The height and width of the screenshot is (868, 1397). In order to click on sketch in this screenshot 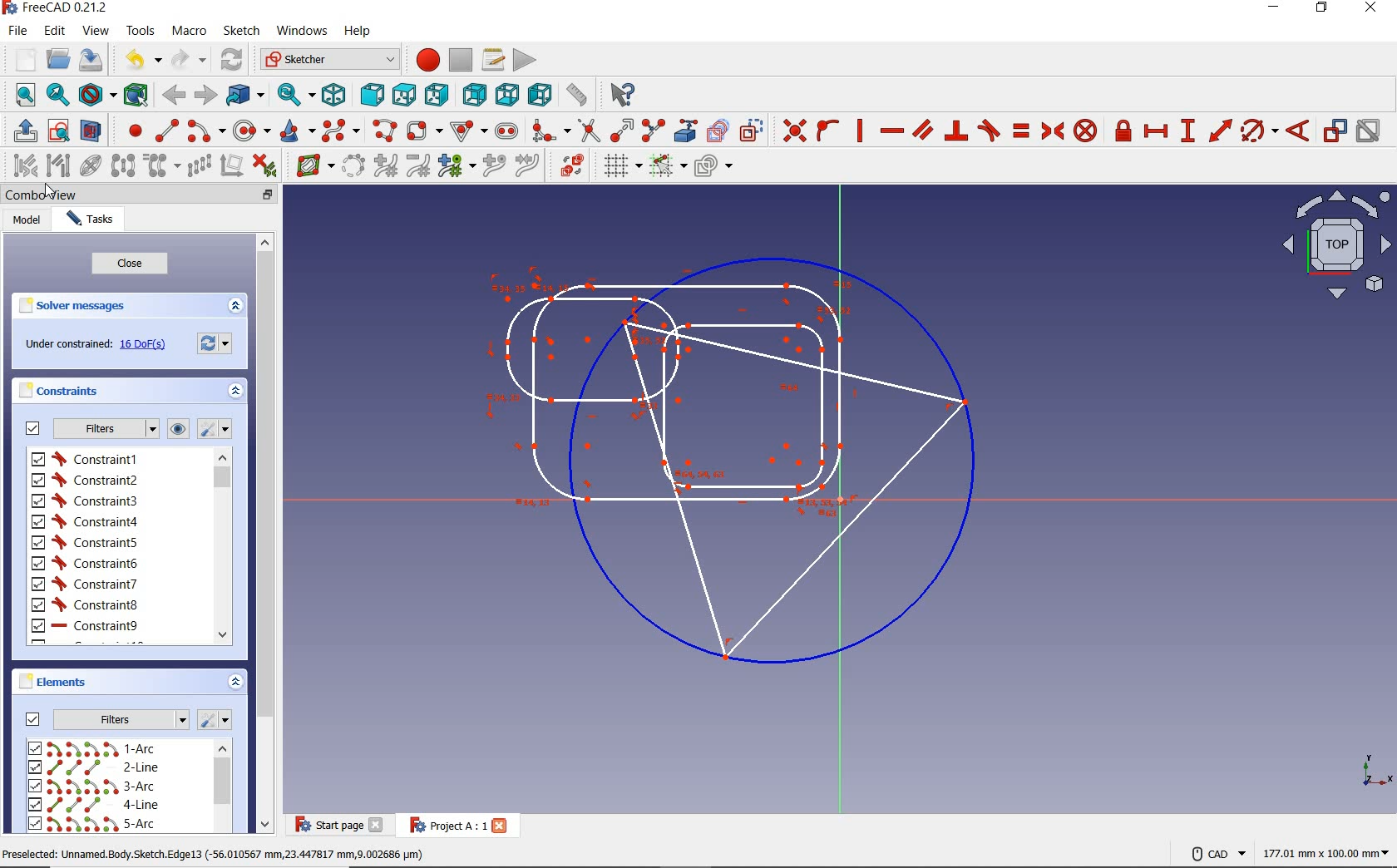, I will do `click(241, 32)`.